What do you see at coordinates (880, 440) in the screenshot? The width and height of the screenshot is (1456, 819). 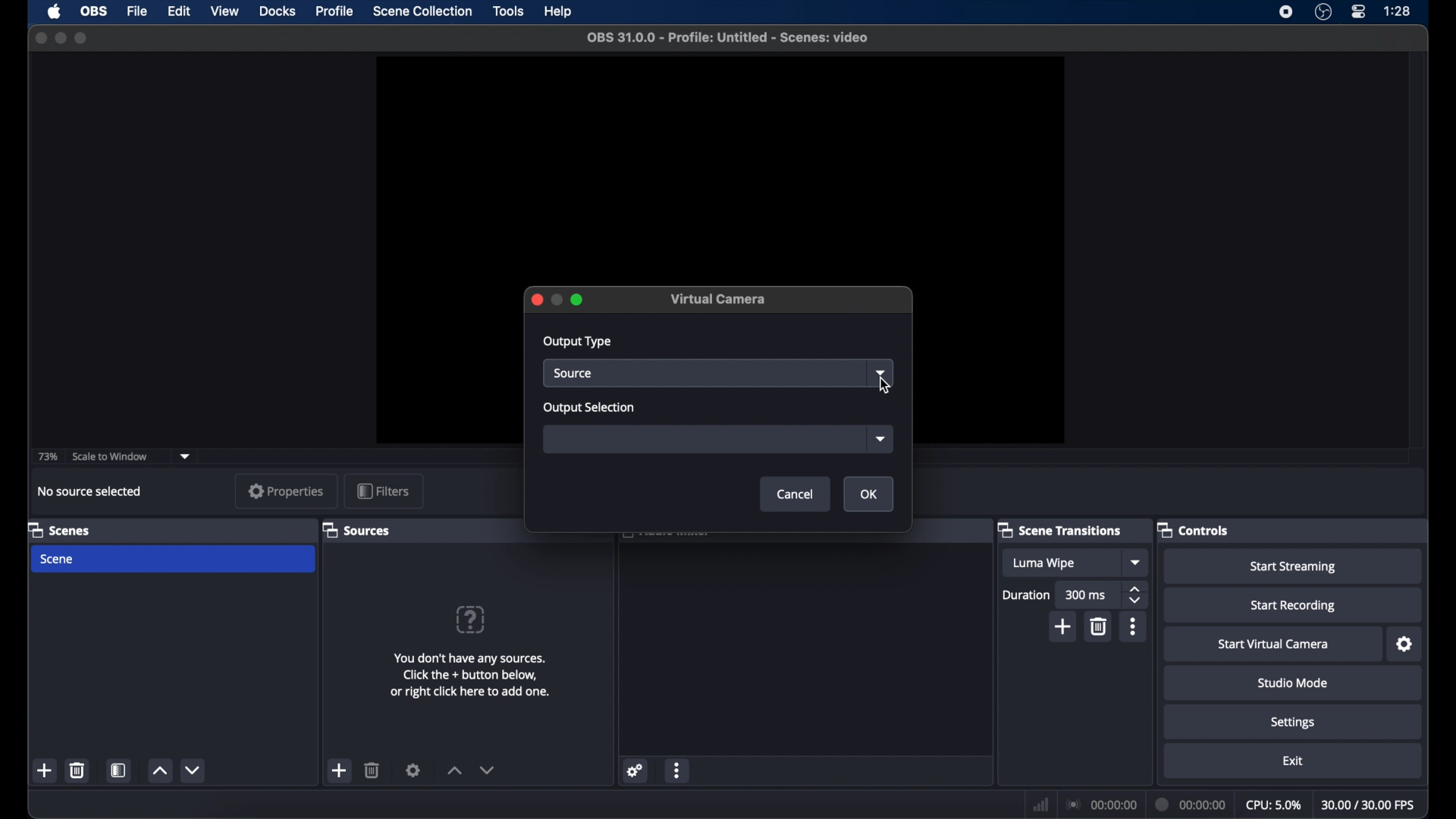 I see `dropdown` at bounding box center [880, 440].